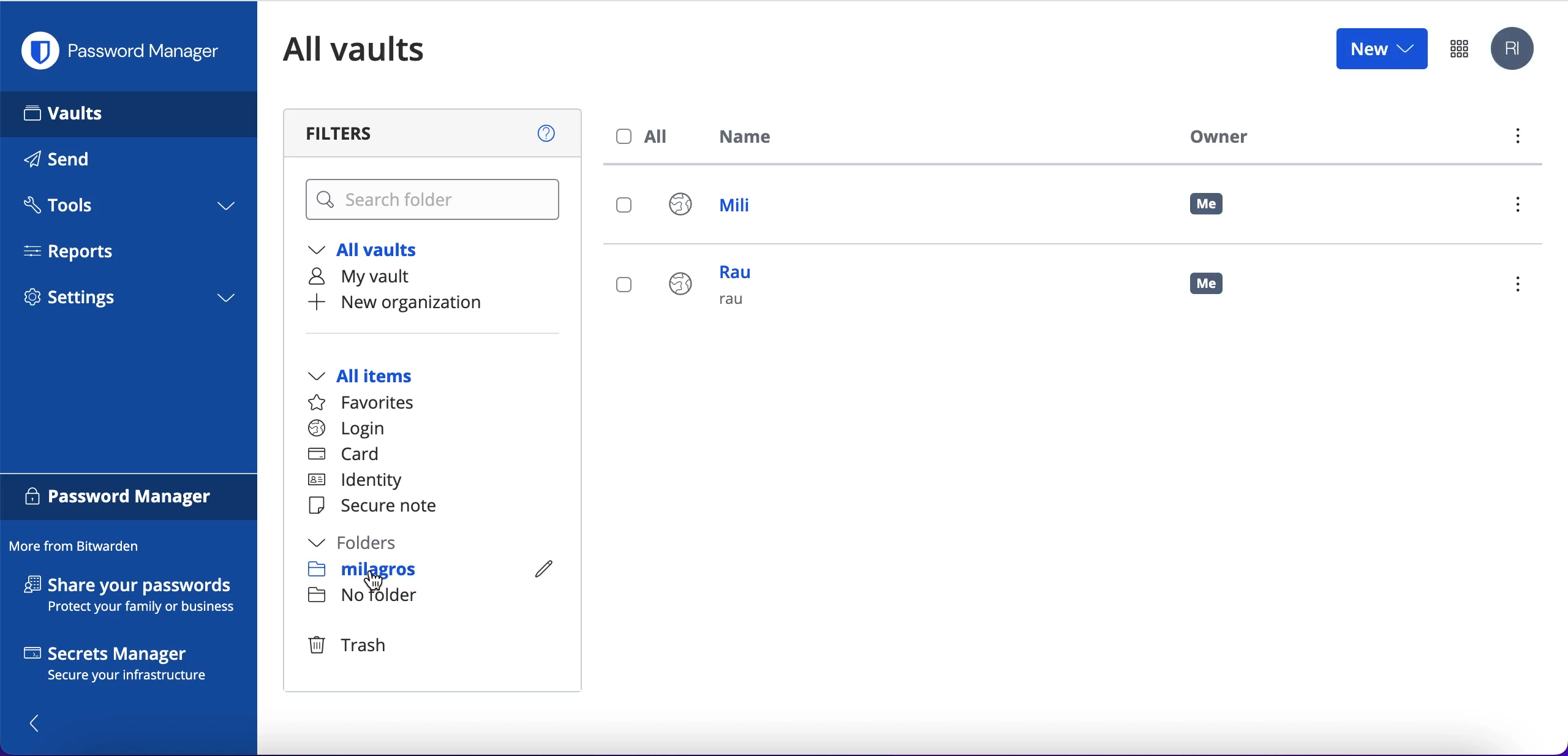  I want to click on card, so click(346, 455).